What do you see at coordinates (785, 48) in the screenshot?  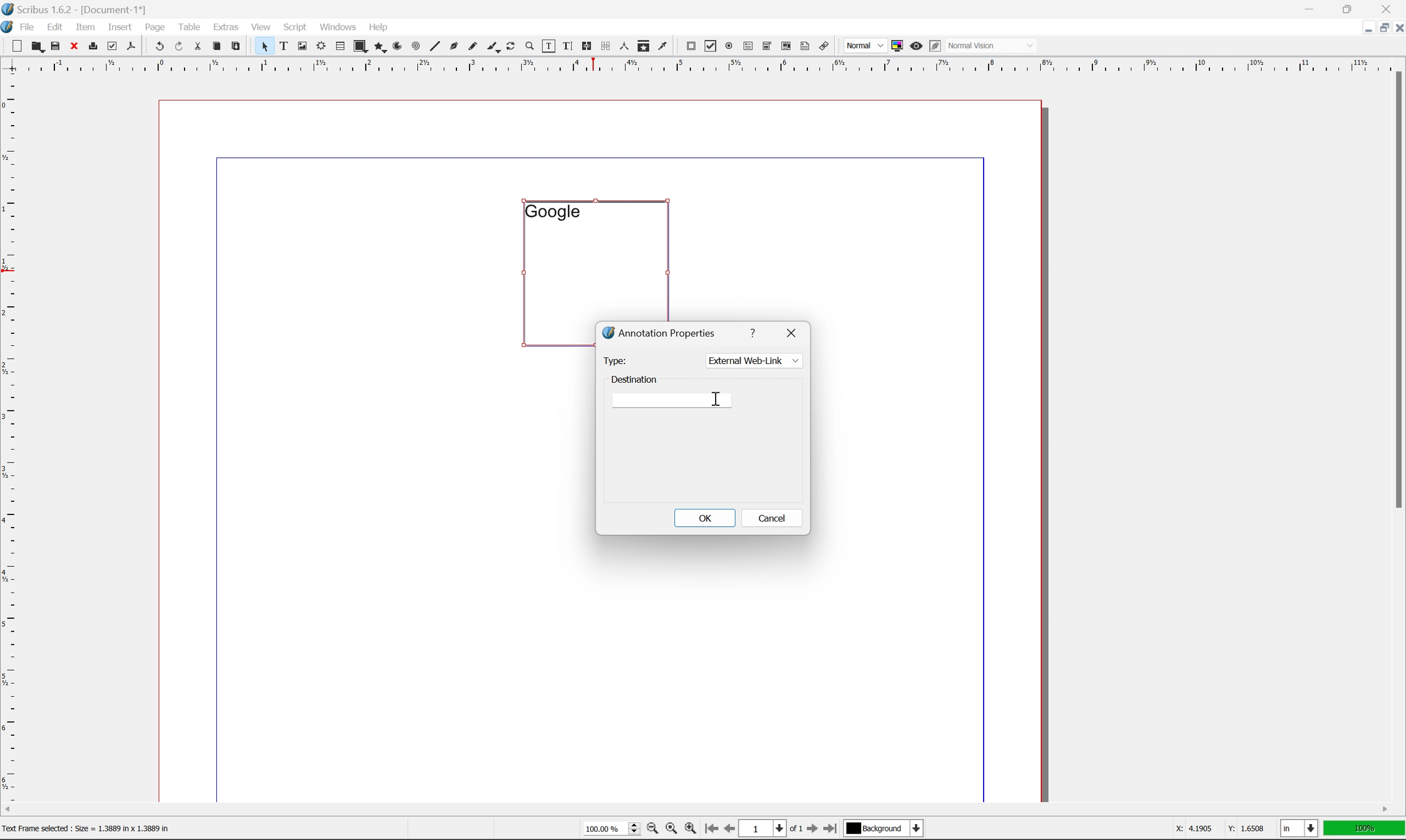 I see `pdf list box` at bounding box center [785, 48].